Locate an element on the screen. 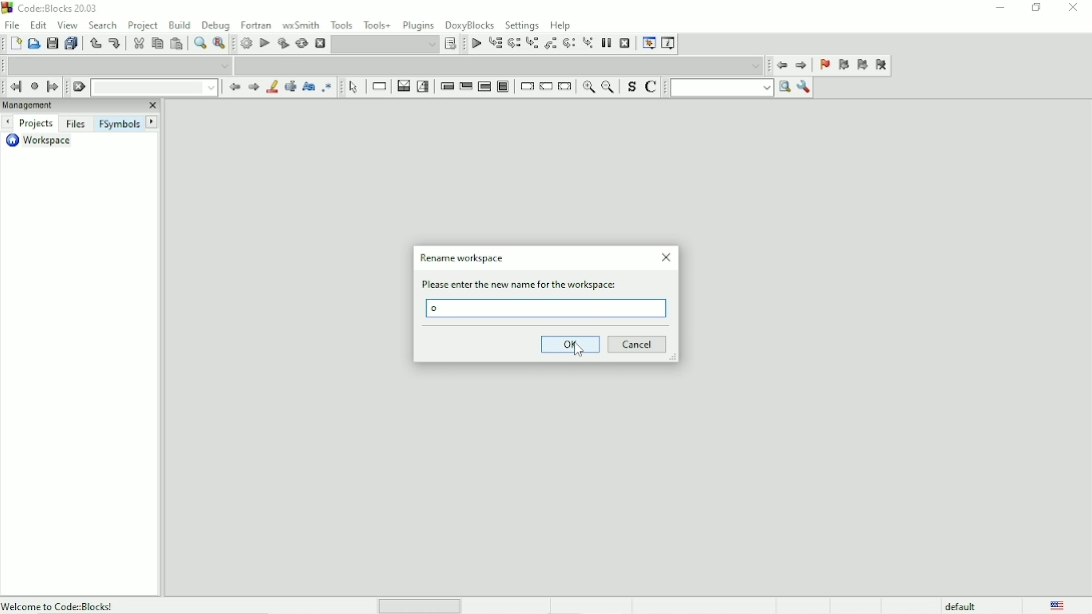  Break debugger is located at coordinates (607, 42).